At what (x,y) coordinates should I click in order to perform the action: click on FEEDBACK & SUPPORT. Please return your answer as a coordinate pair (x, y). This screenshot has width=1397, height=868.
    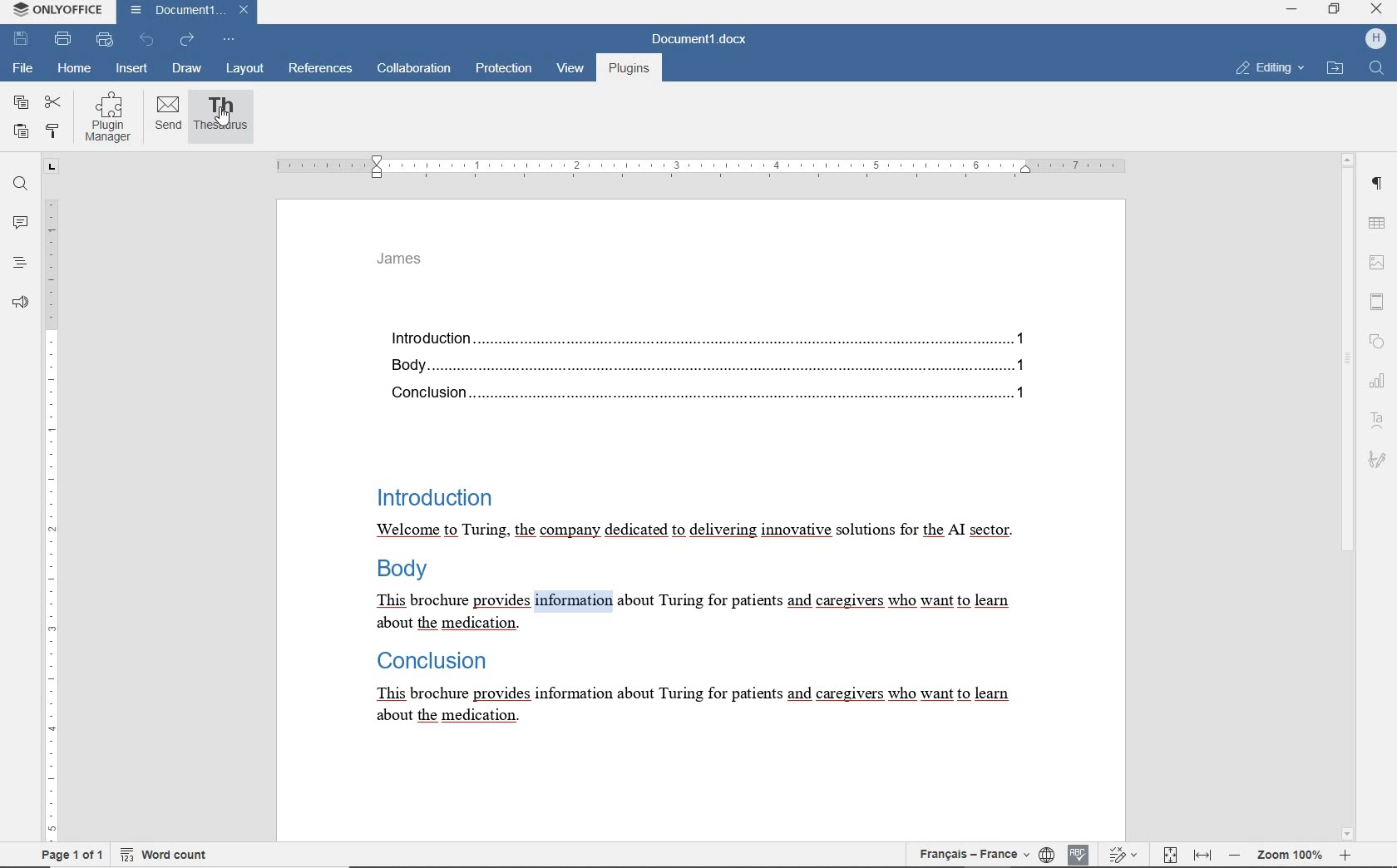
    Looking at the image, I should click on (20, 299).